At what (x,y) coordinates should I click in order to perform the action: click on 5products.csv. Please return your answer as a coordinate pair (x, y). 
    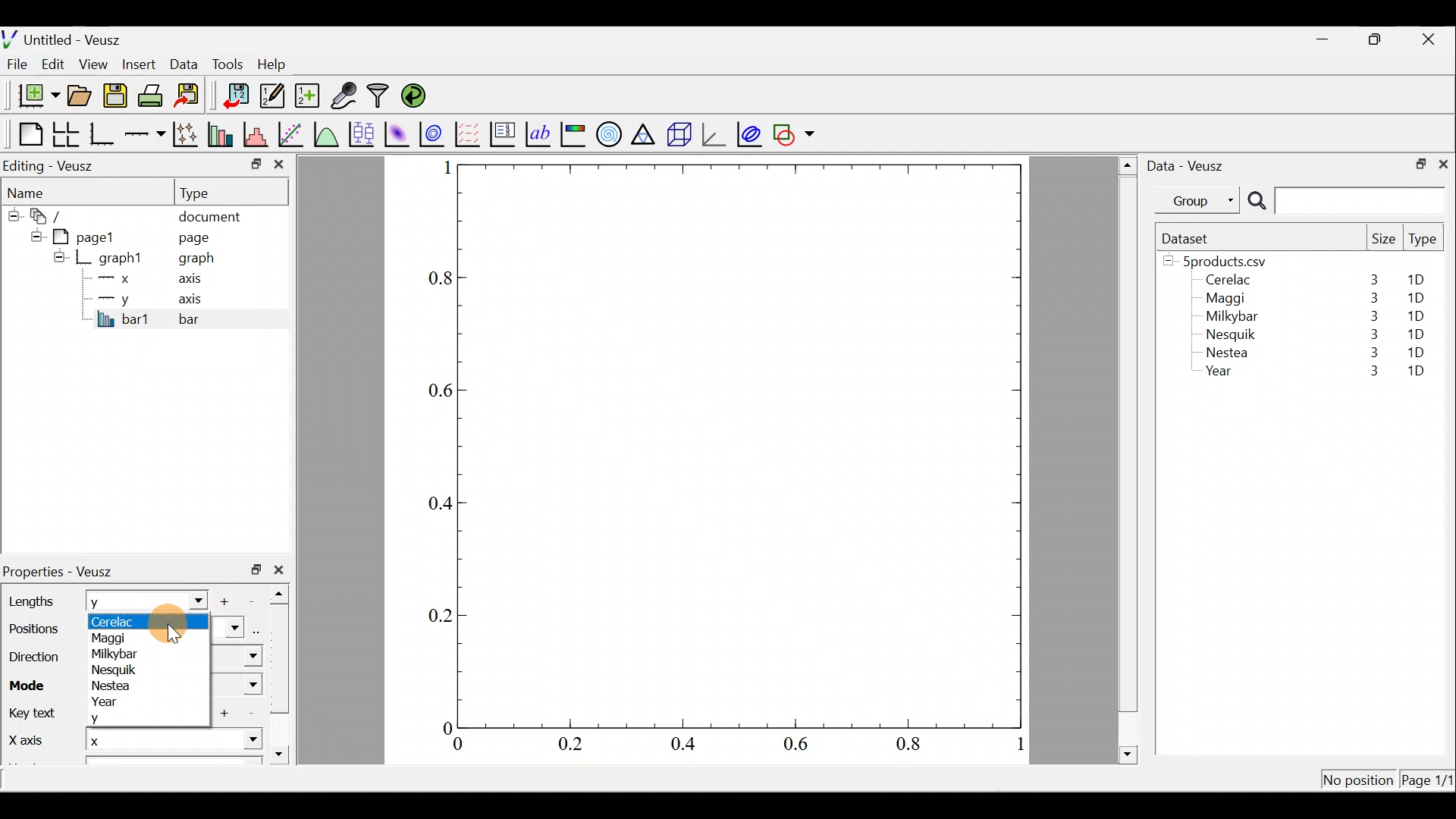
    Looking at the image, I should click on (1223, 260).